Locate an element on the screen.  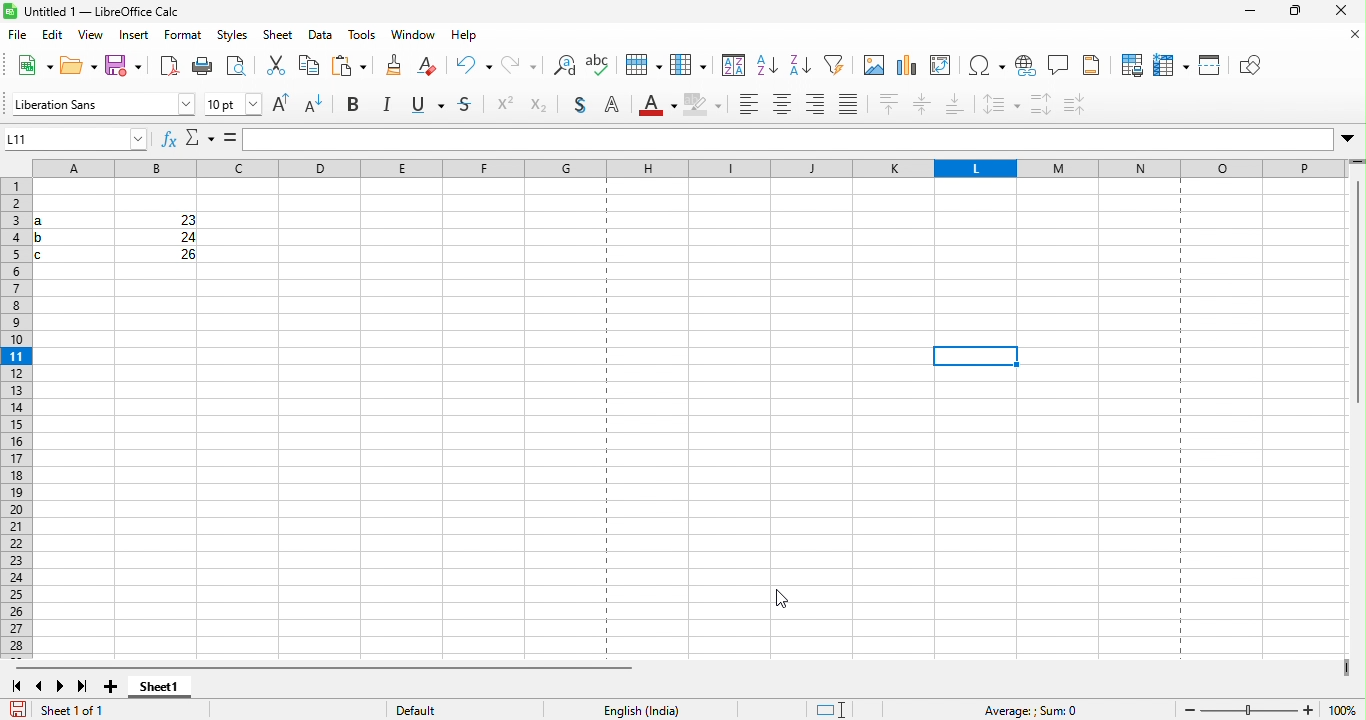
insert is located at coordinates (132, 39).